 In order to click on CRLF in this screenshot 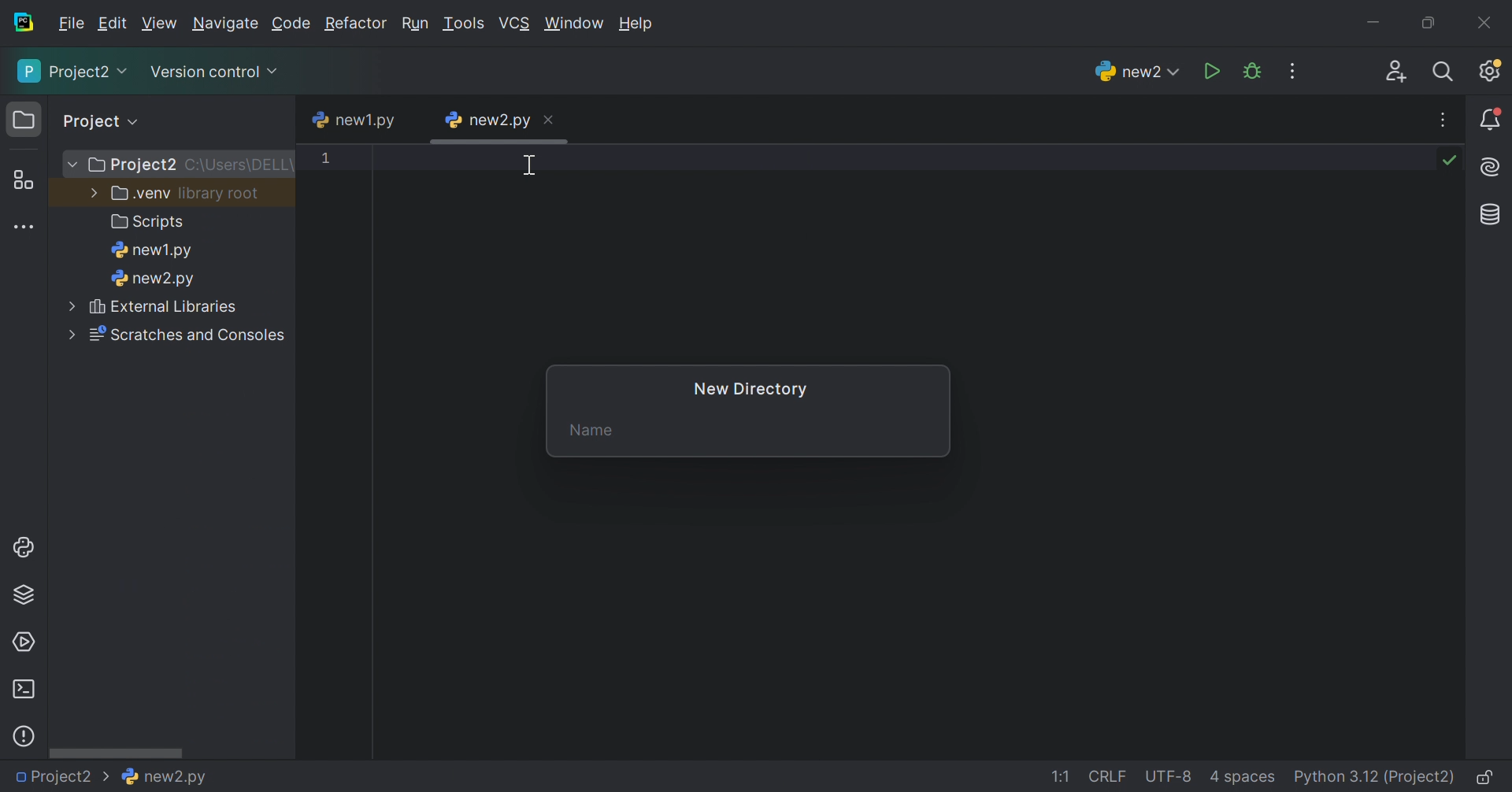, I will do `click(1106, 775)`.